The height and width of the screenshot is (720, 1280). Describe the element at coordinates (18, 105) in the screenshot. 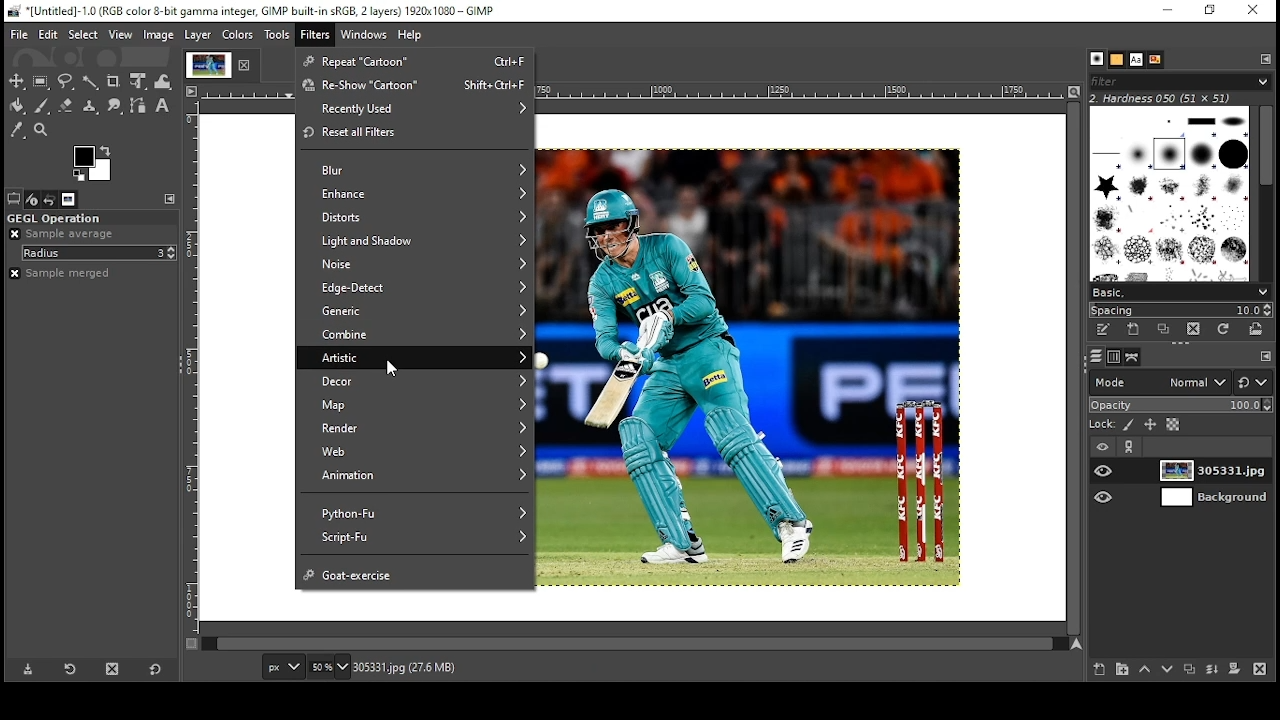

I see `paint bucket tool` at that location.